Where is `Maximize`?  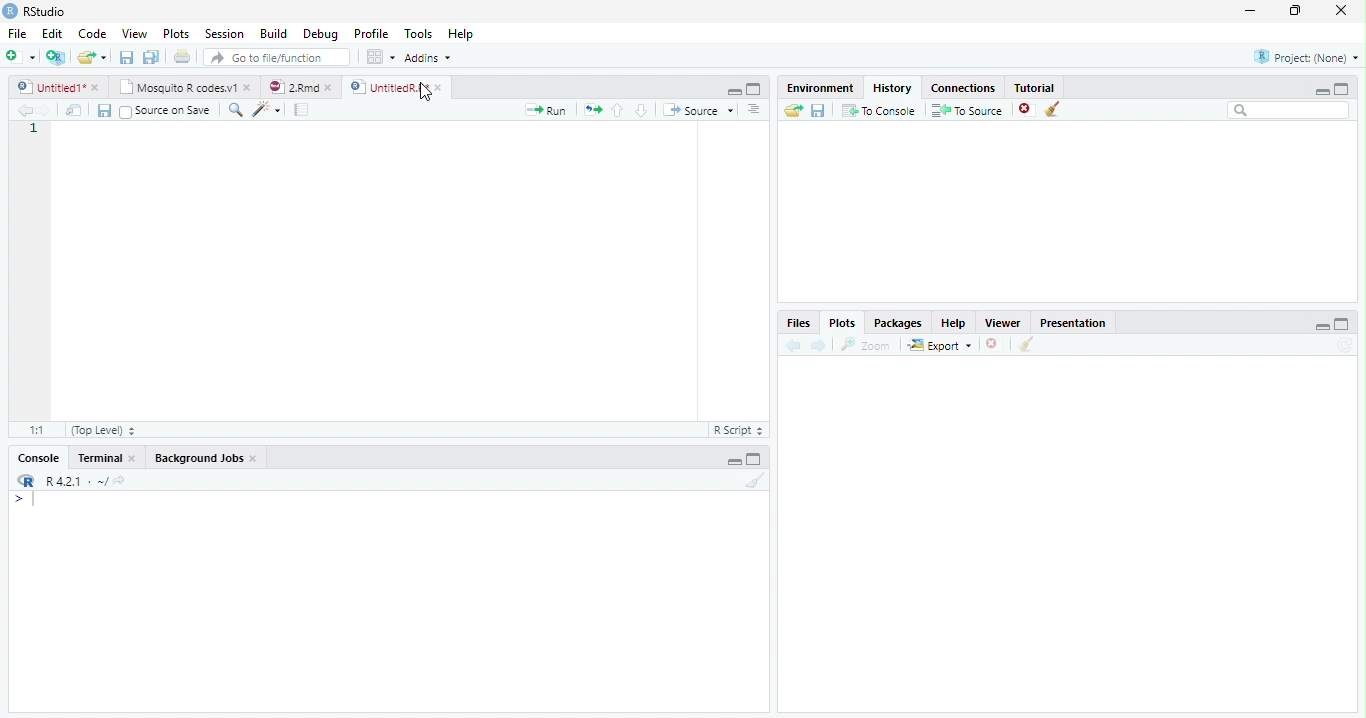 Maximize is located at coordinates (1342, 325).